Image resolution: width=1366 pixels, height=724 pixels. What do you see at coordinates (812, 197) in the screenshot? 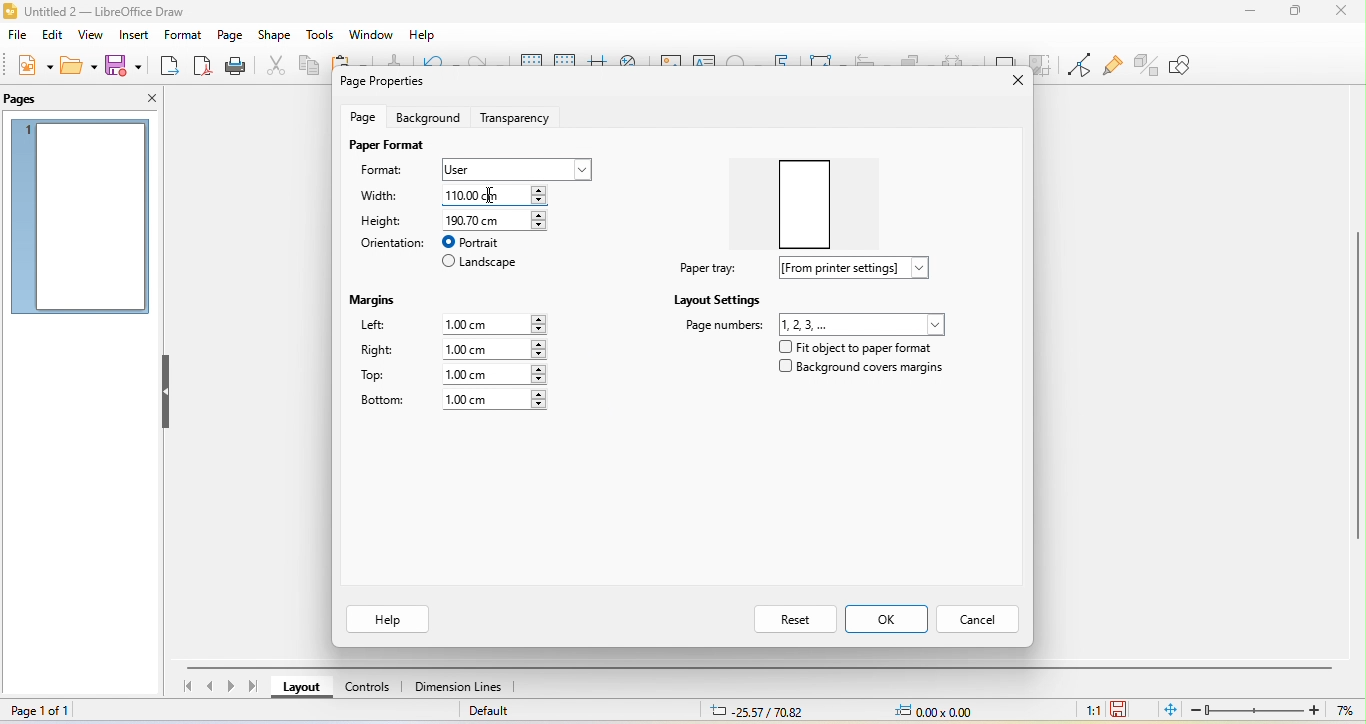
I see `paper` at bounding box center [812, 197].